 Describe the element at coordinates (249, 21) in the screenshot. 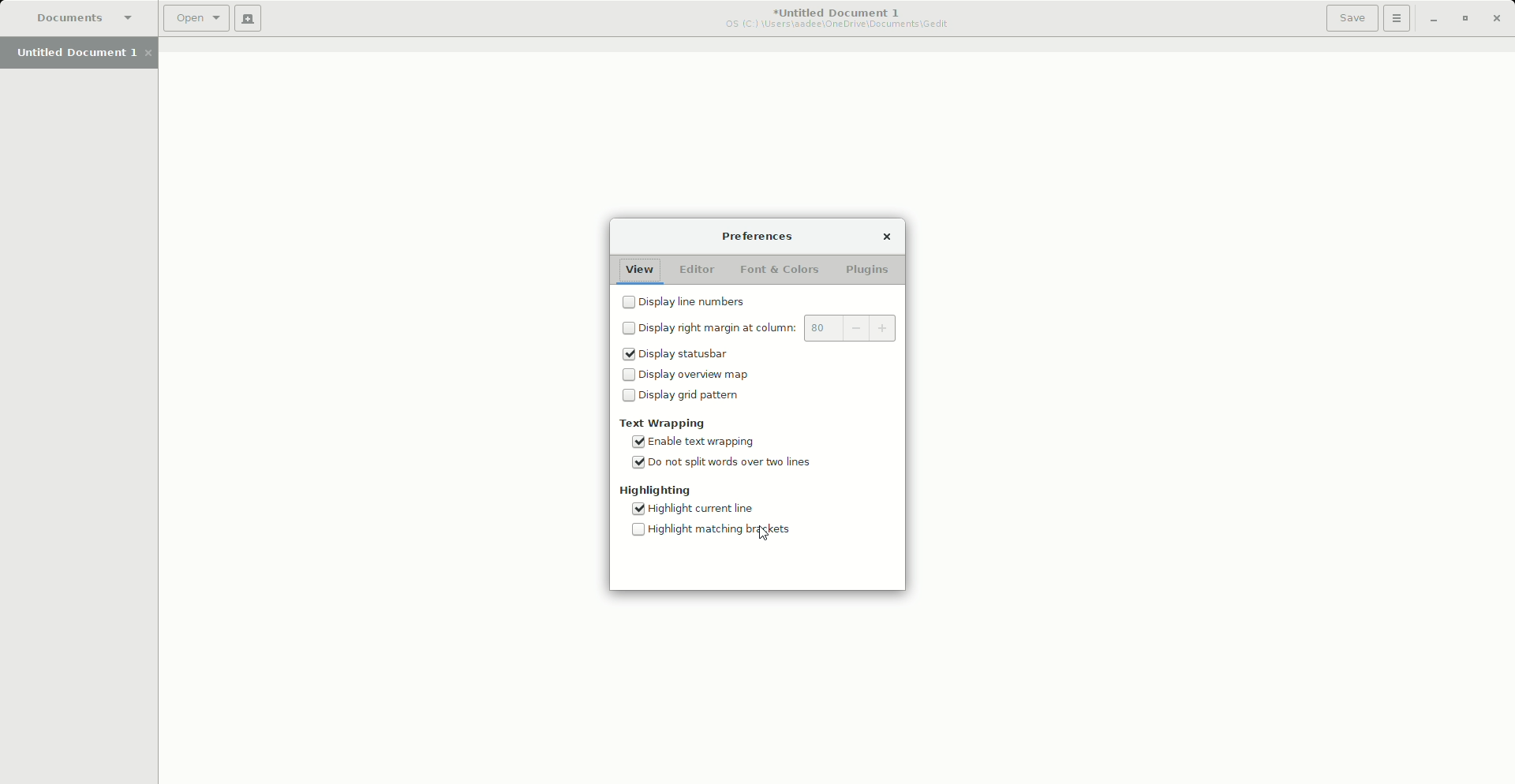

I see `New` at that location.